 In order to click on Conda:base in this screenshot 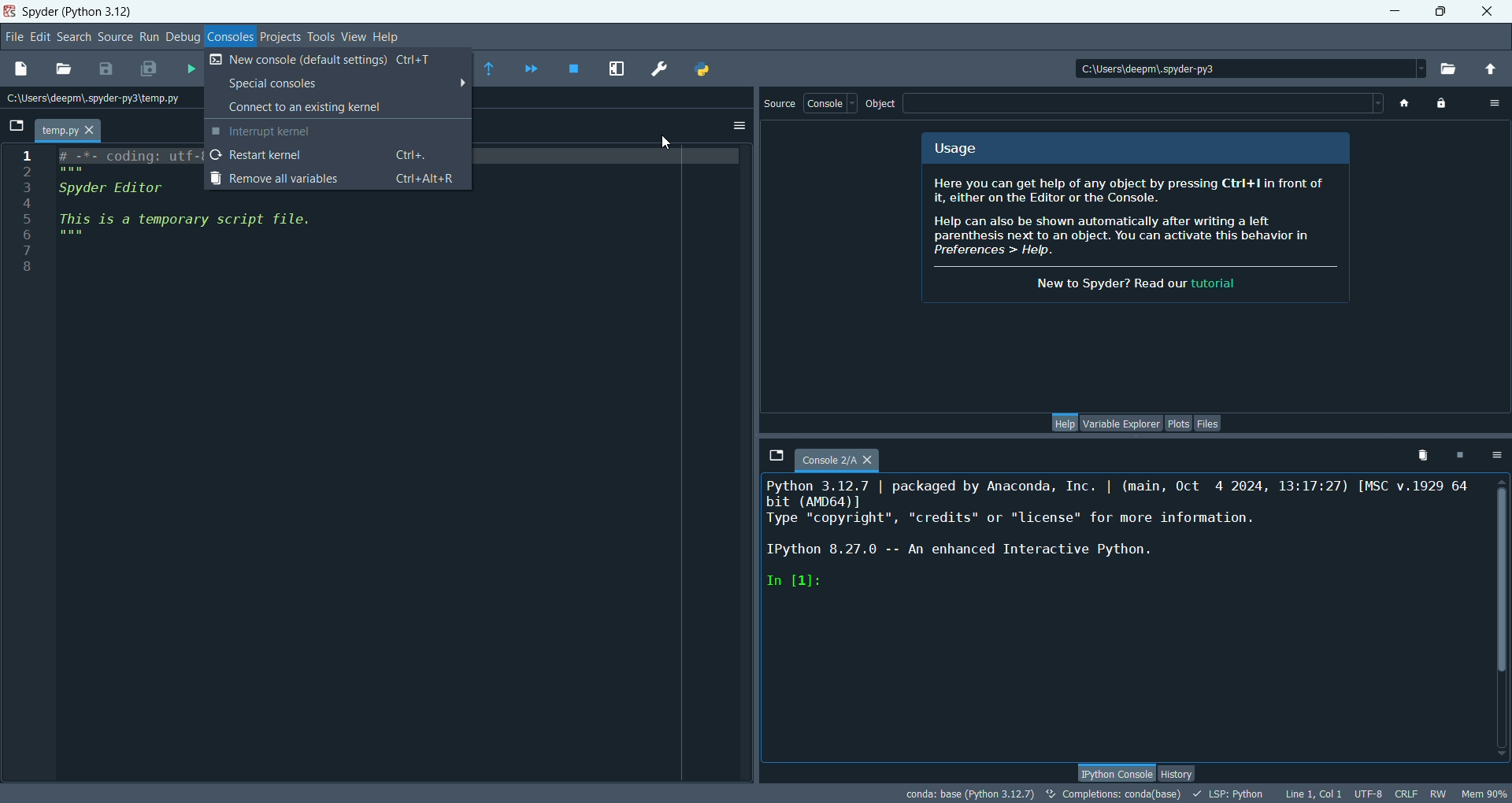, I will do `click(967, 793)`.